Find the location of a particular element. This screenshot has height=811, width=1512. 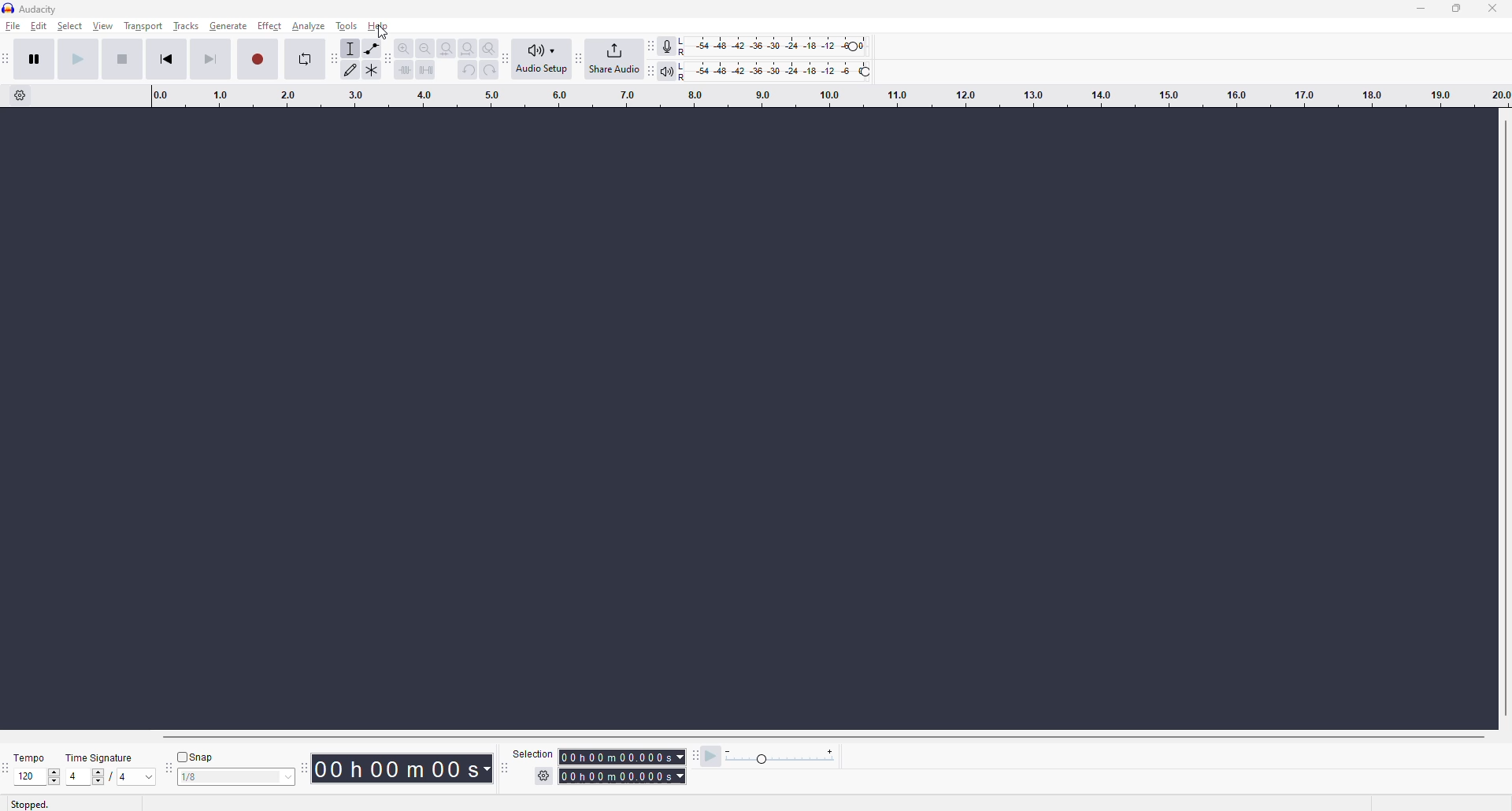

envelop tool is located at coordinates (375, 51).